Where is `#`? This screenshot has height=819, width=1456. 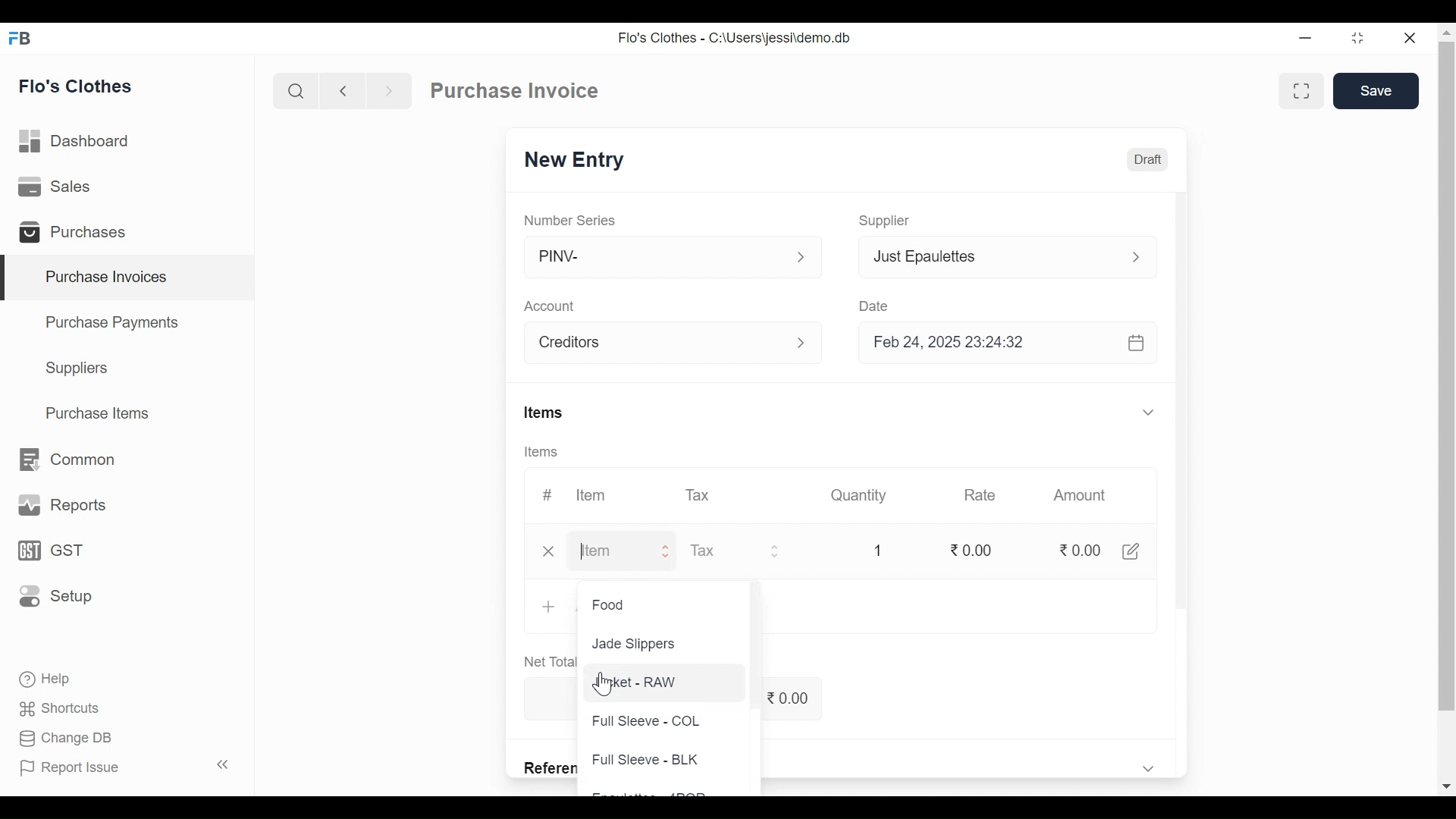
# is located at coordinates (551, 494).